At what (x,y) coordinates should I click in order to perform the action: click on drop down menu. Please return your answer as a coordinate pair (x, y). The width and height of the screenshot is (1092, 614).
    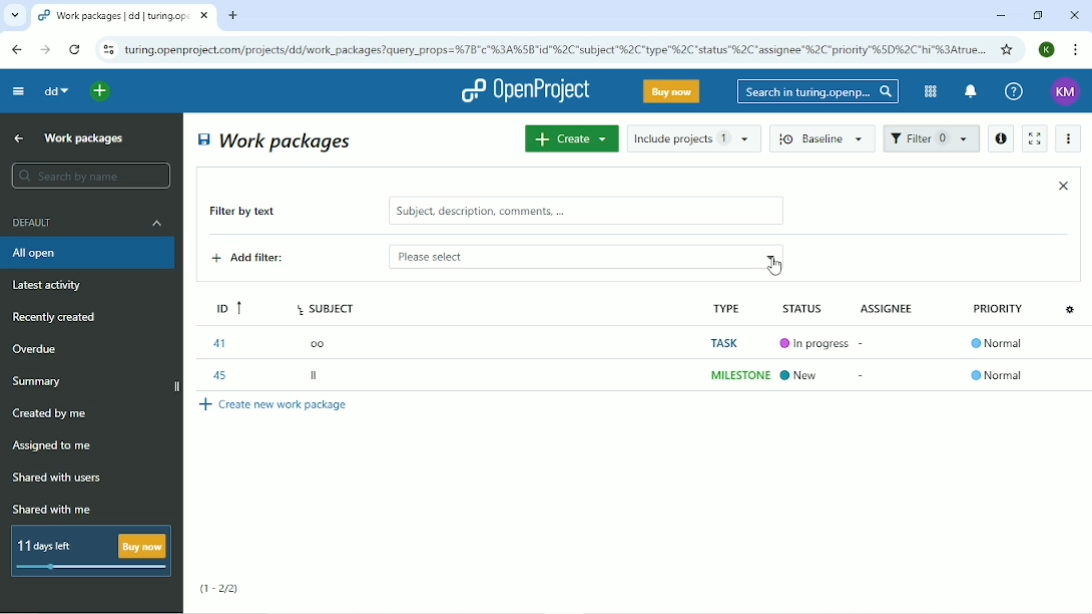
    Looking at the image, I should click on (772, 253).